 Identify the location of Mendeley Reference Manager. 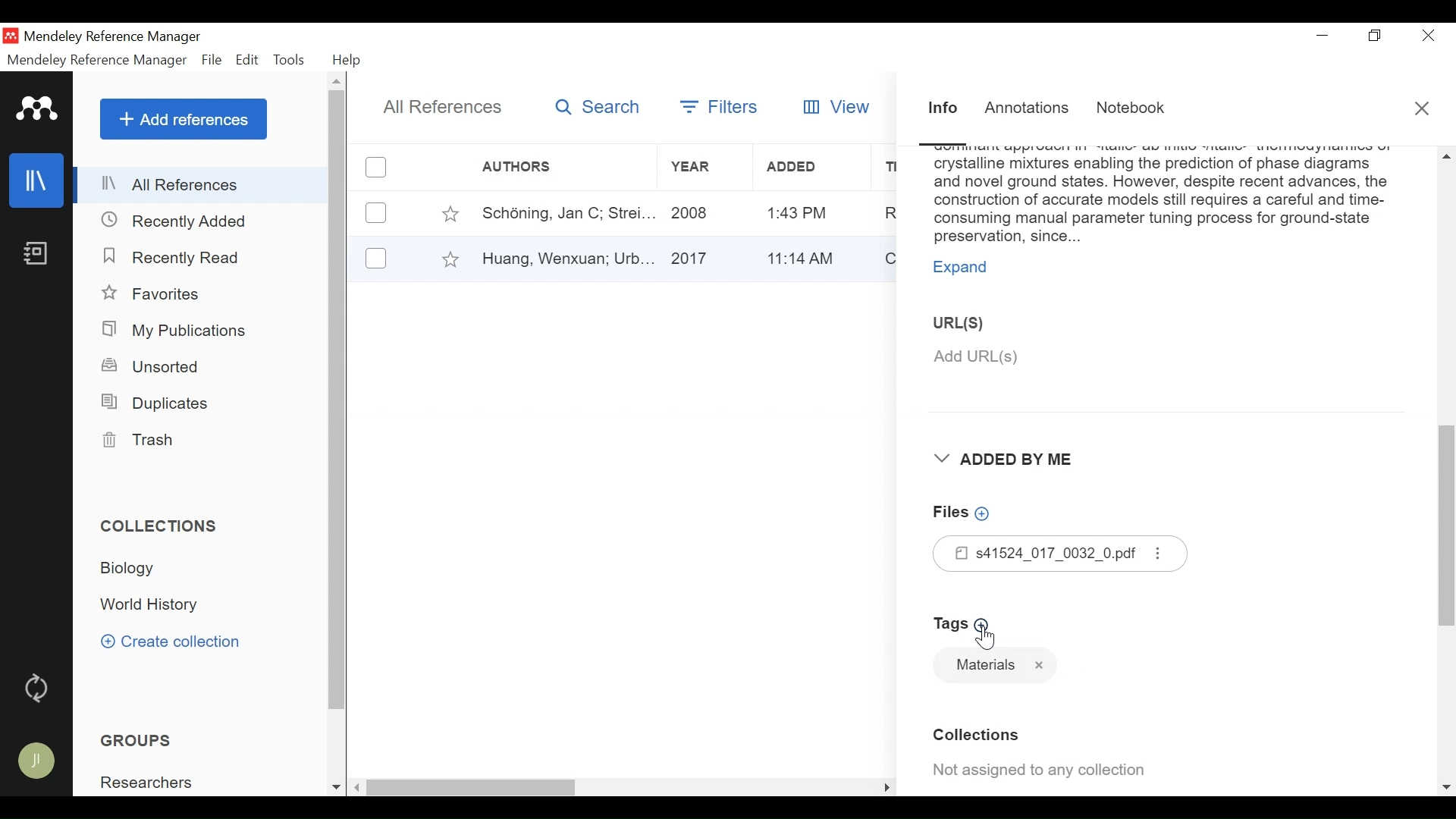
(97, 62).